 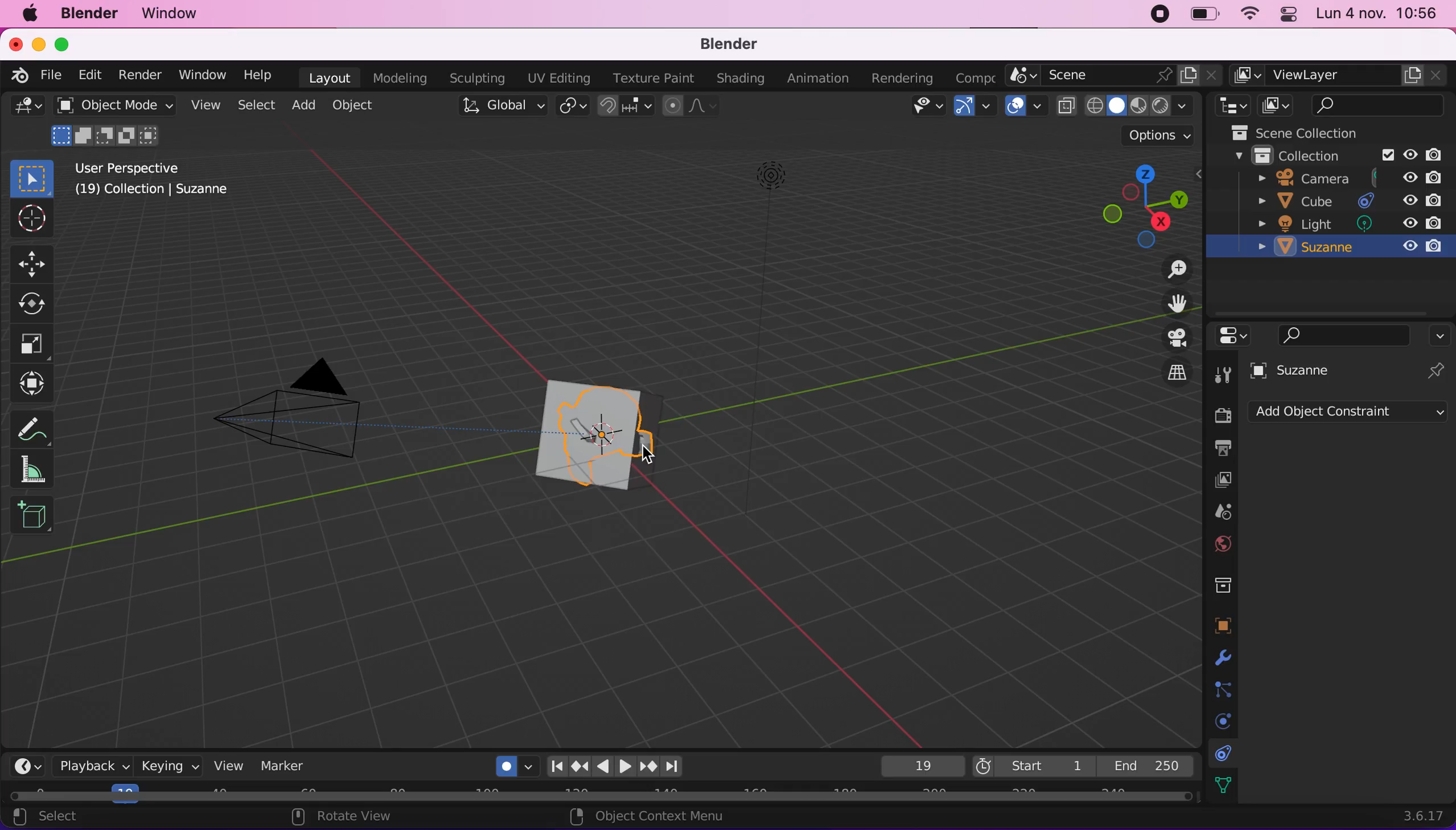 I want to click on physics, so click(x=1219, y=719).